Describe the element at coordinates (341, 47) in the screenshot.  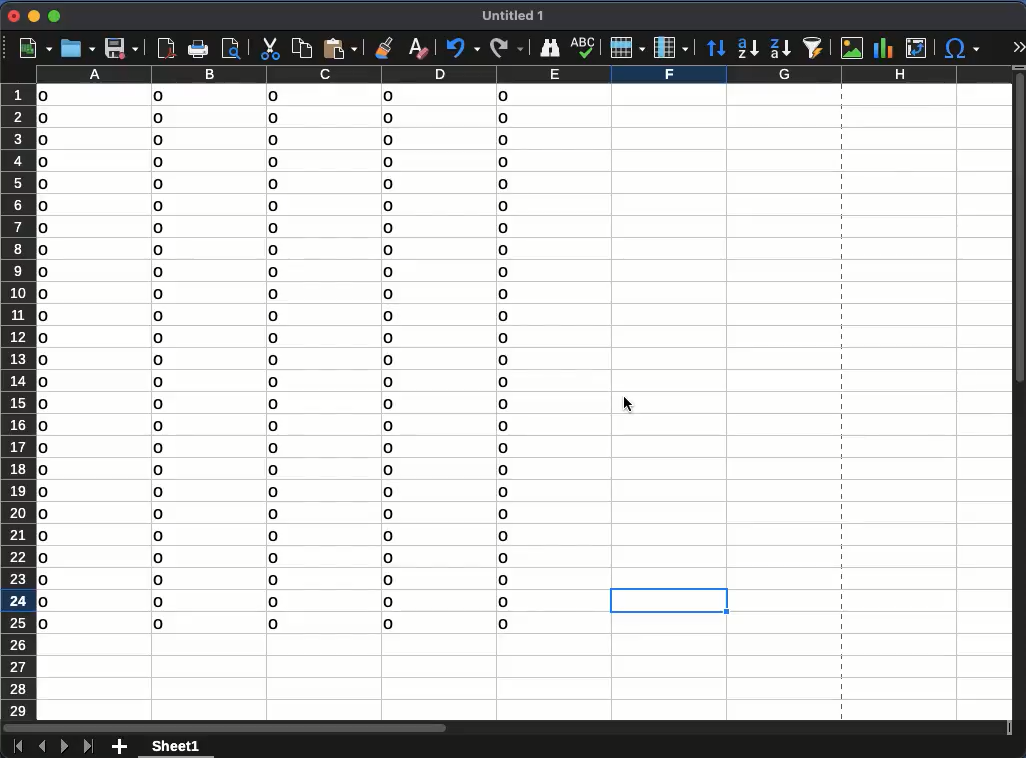
I see `paste` at that location.